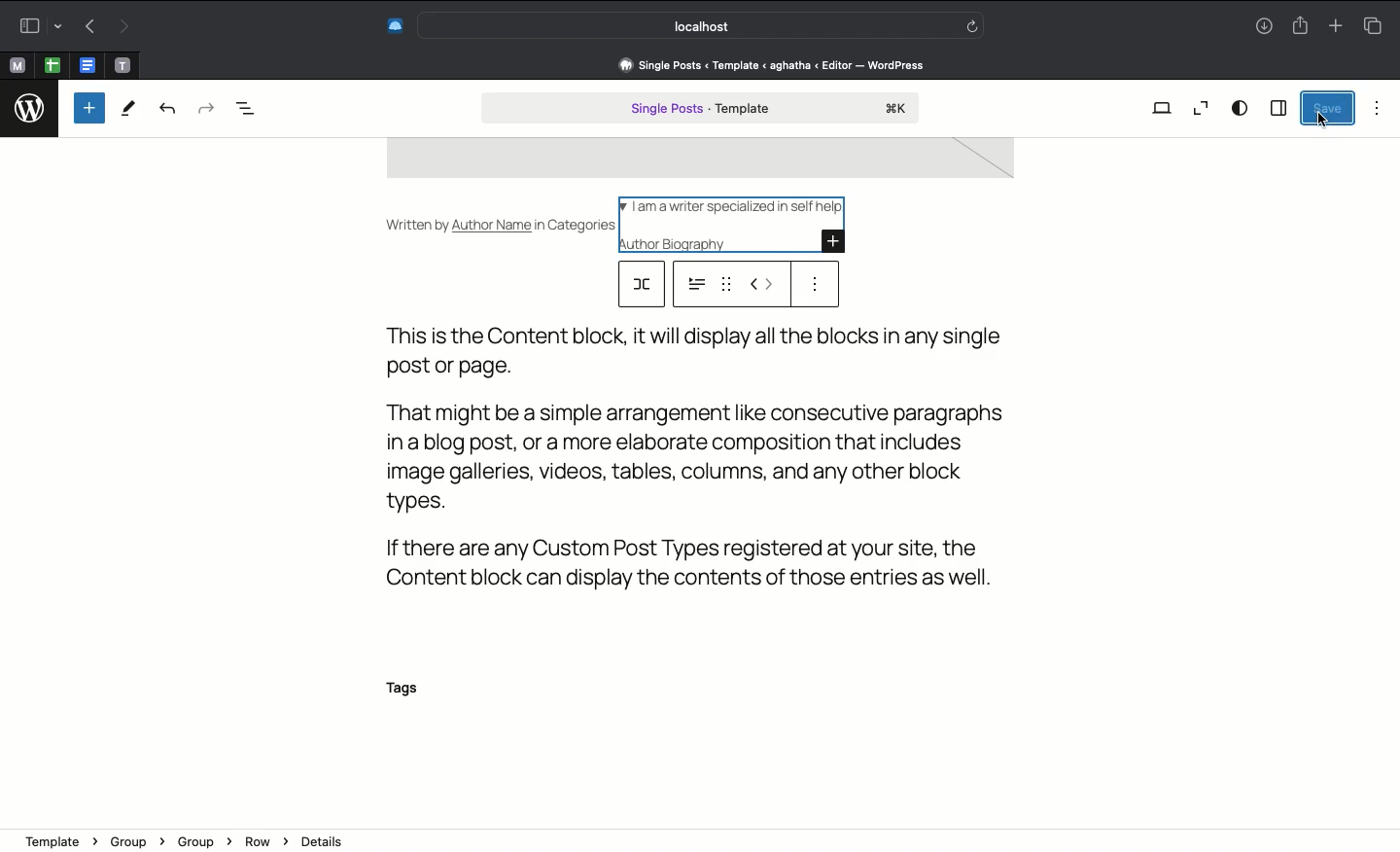 Image resolution: width=1400 pixels, height=852 pixels. I want to click on Forward, so click(125, 27).